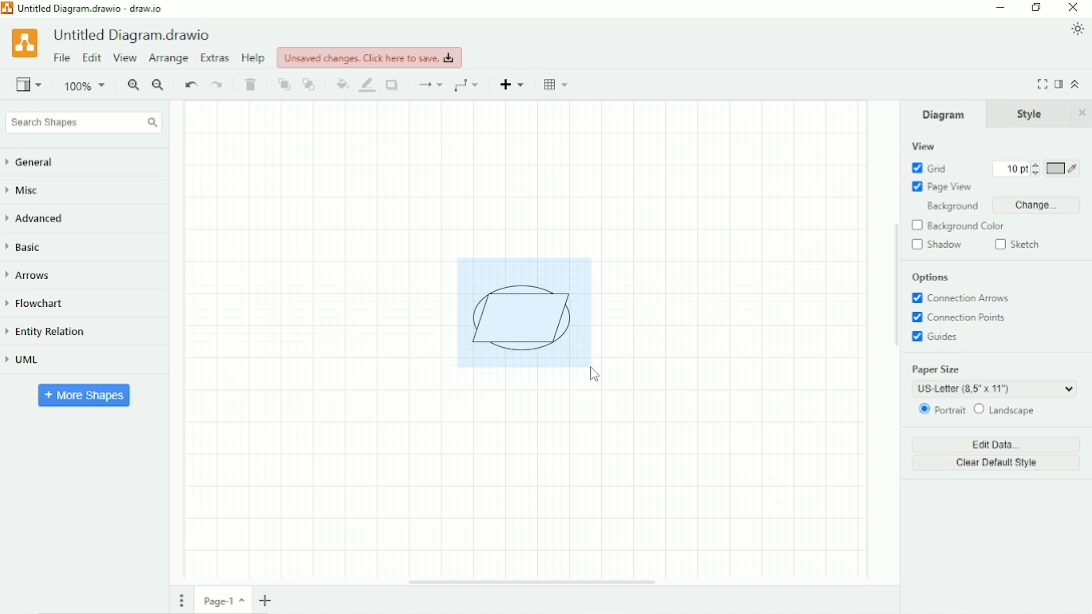  I want to click on Fullscreen, so click(1042, 84).